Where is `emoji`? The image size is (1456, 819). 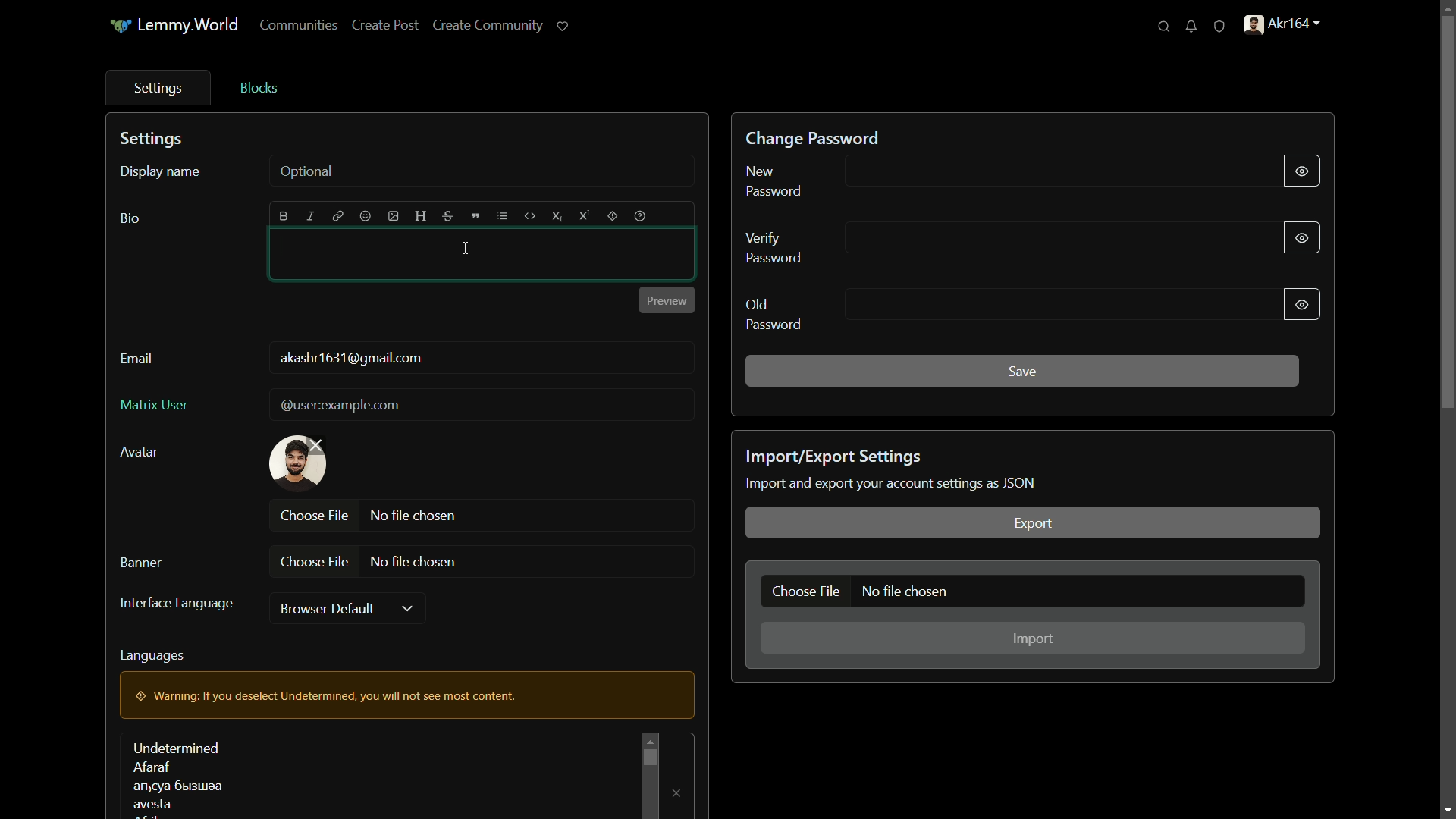
emoji is located at coordinates (366, 215).